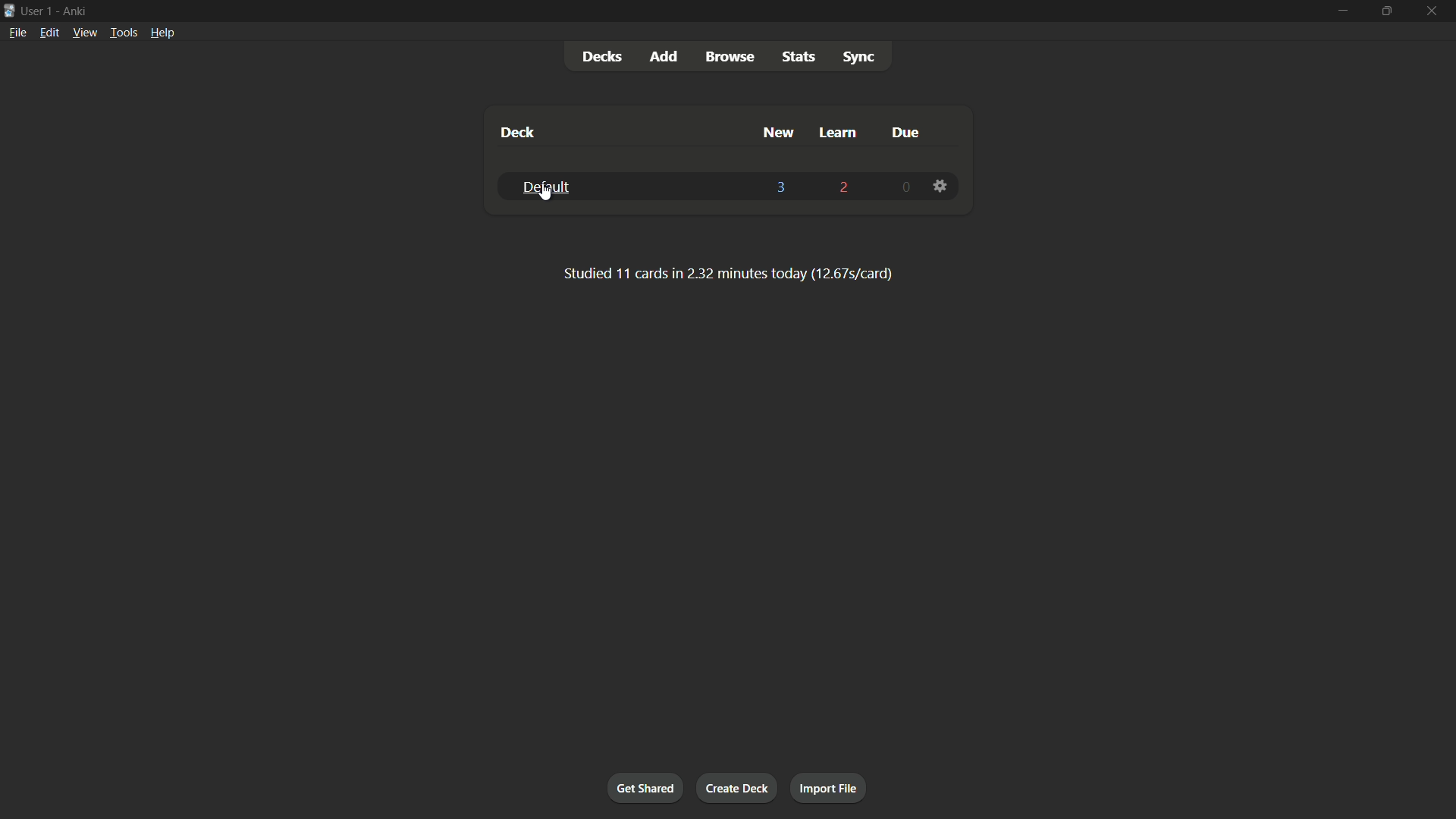 The image size is (1456, 819). I want to click on app icon, so click(9, 11).